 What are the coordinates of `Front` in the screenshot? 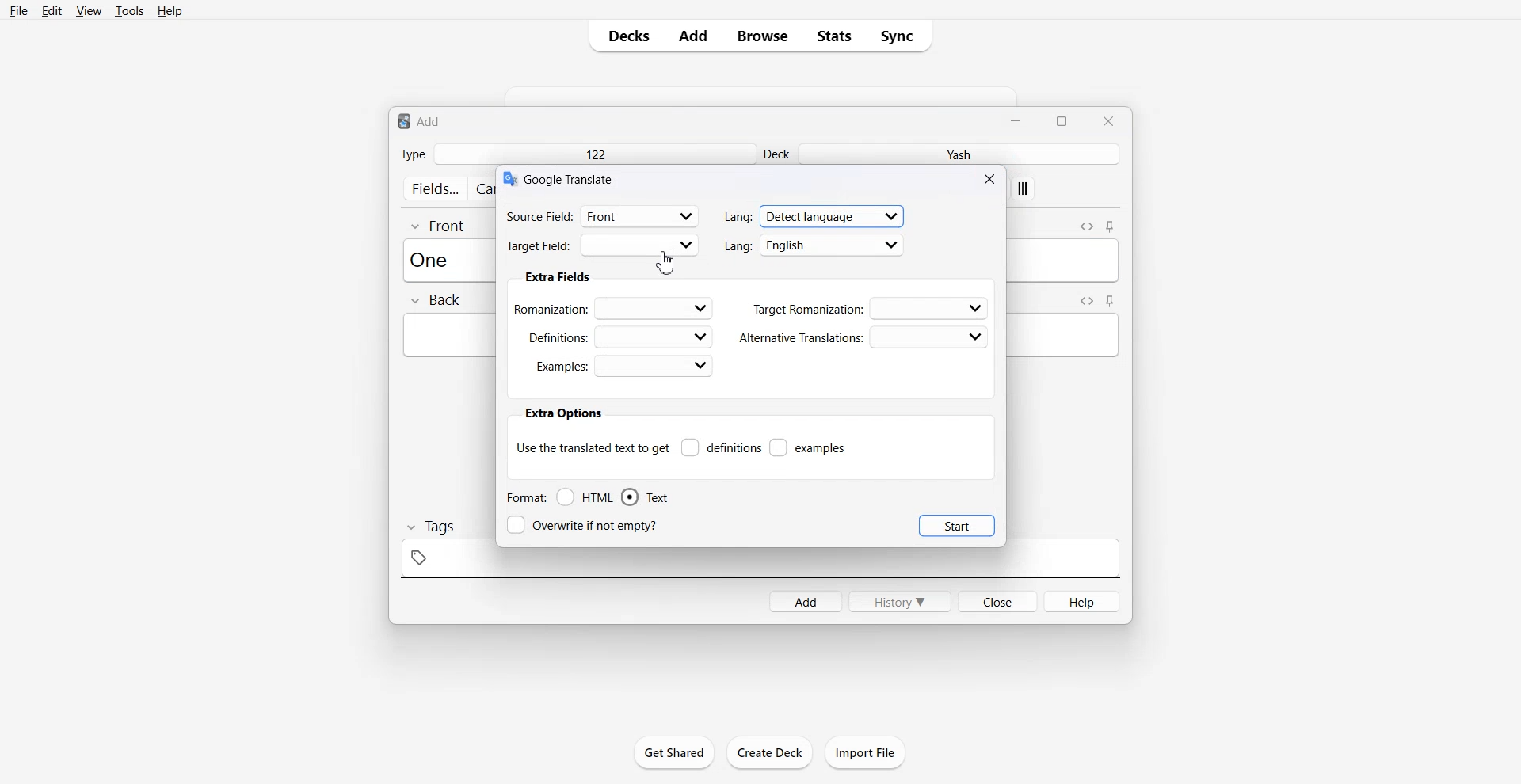 It's located at (439, 225).